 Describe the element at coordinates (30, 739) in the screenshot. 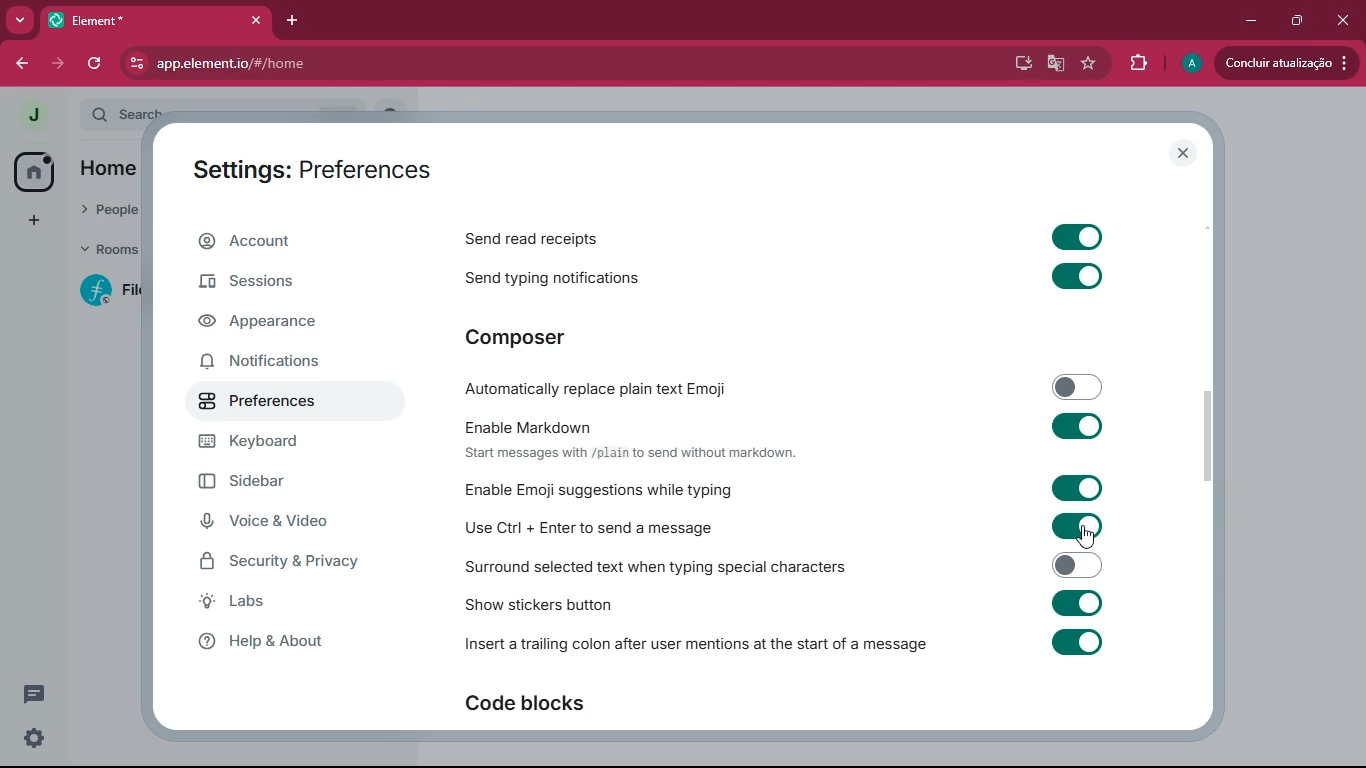

I see `settings` at that location.